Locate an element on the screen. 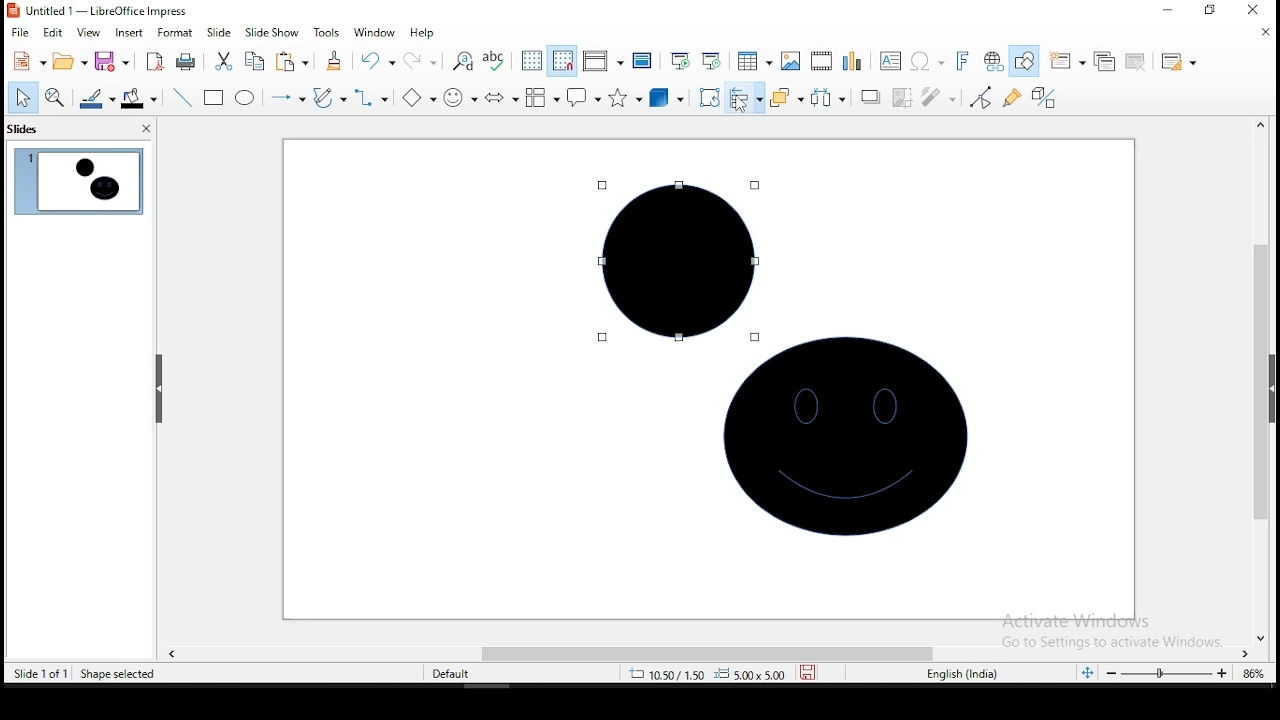 The height and width of the screenshot is (720, 1280). insert special characters is located at coordinates (928, 61).